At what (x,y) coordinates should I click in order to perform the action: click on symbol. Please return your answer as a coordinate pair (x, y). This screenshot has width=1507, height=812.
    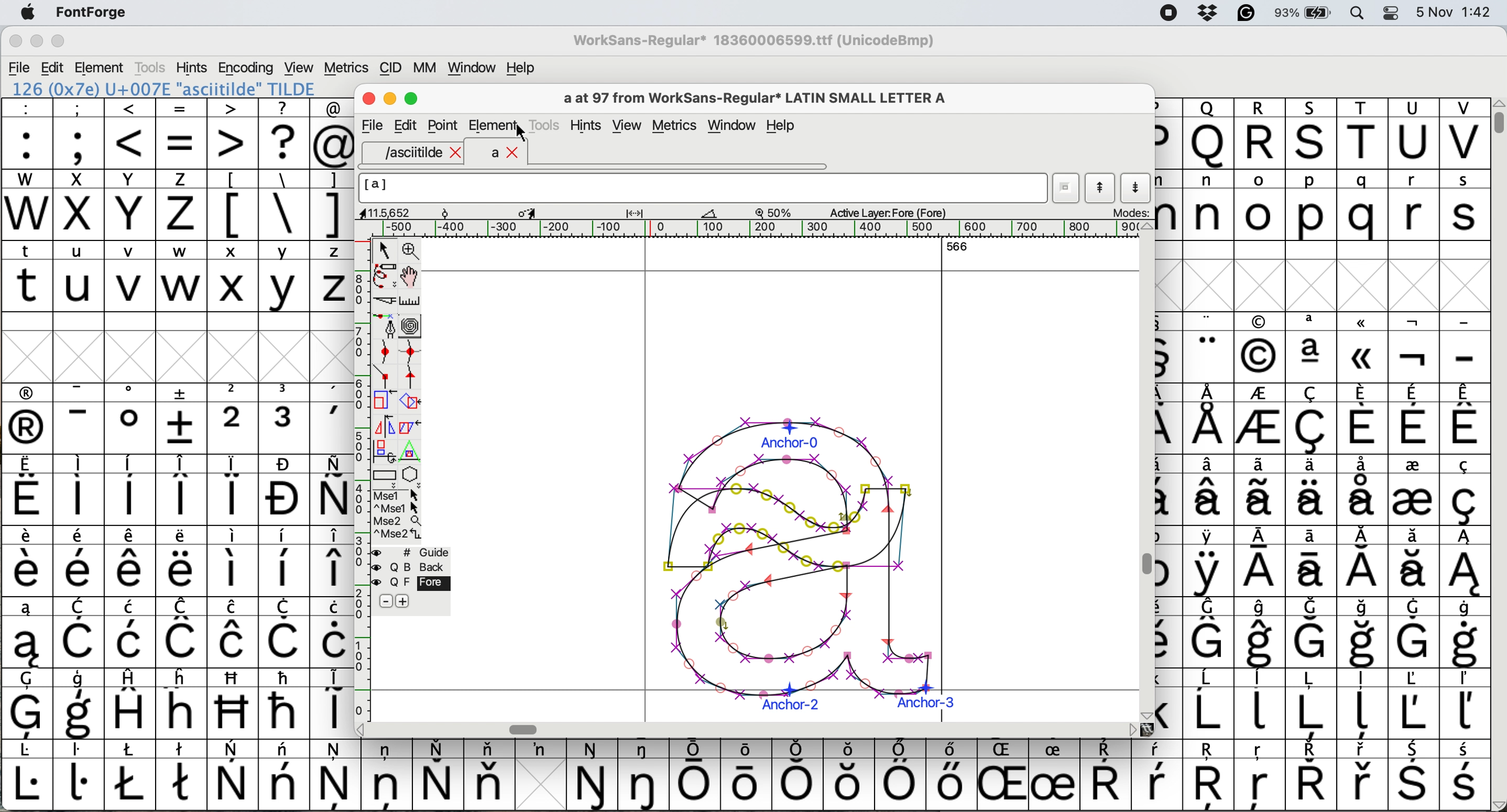
    Looking at the image, I should click on (234, 776).